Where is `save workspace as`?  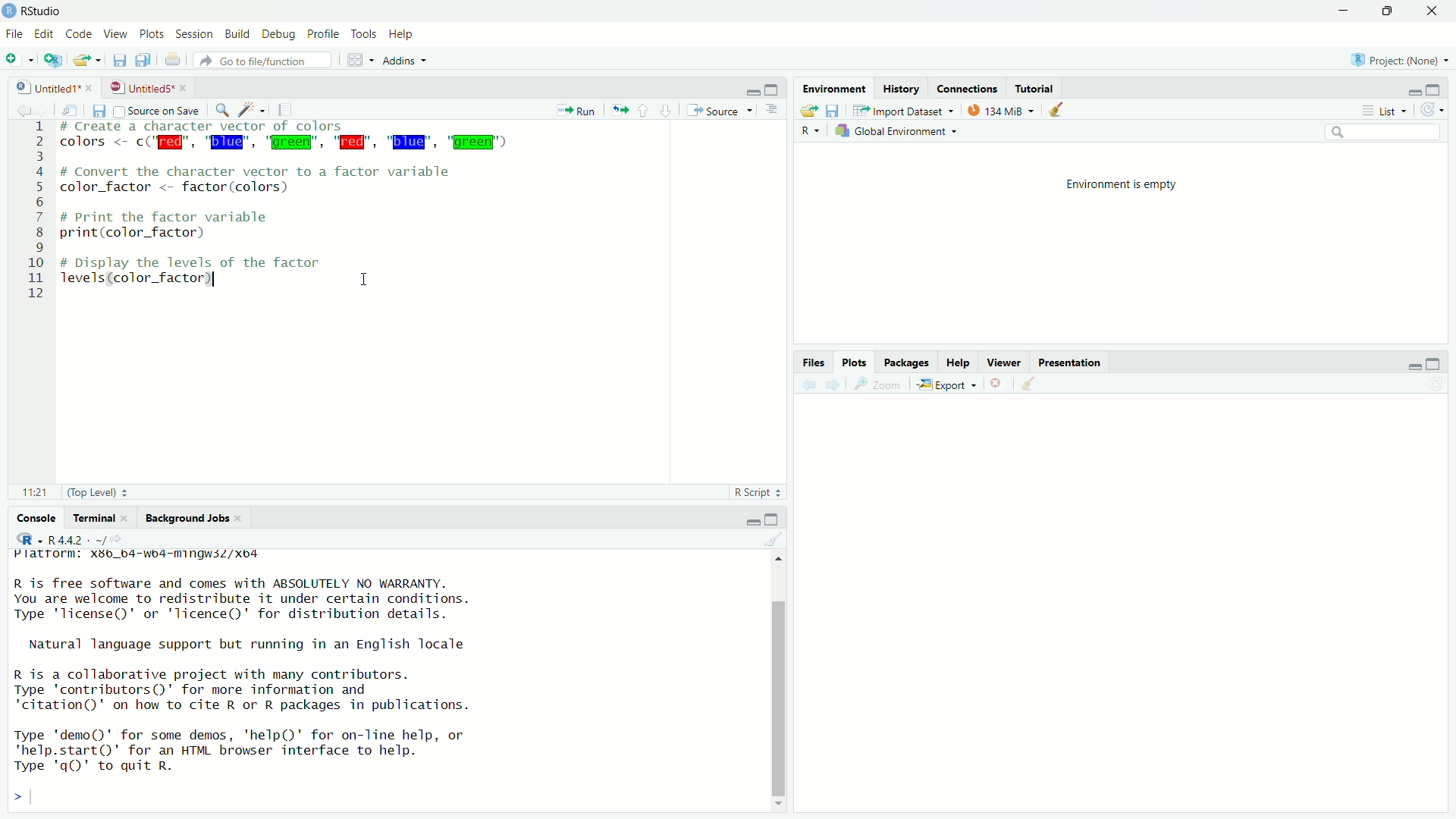
save workspace as is located at coordinates (837, 111).